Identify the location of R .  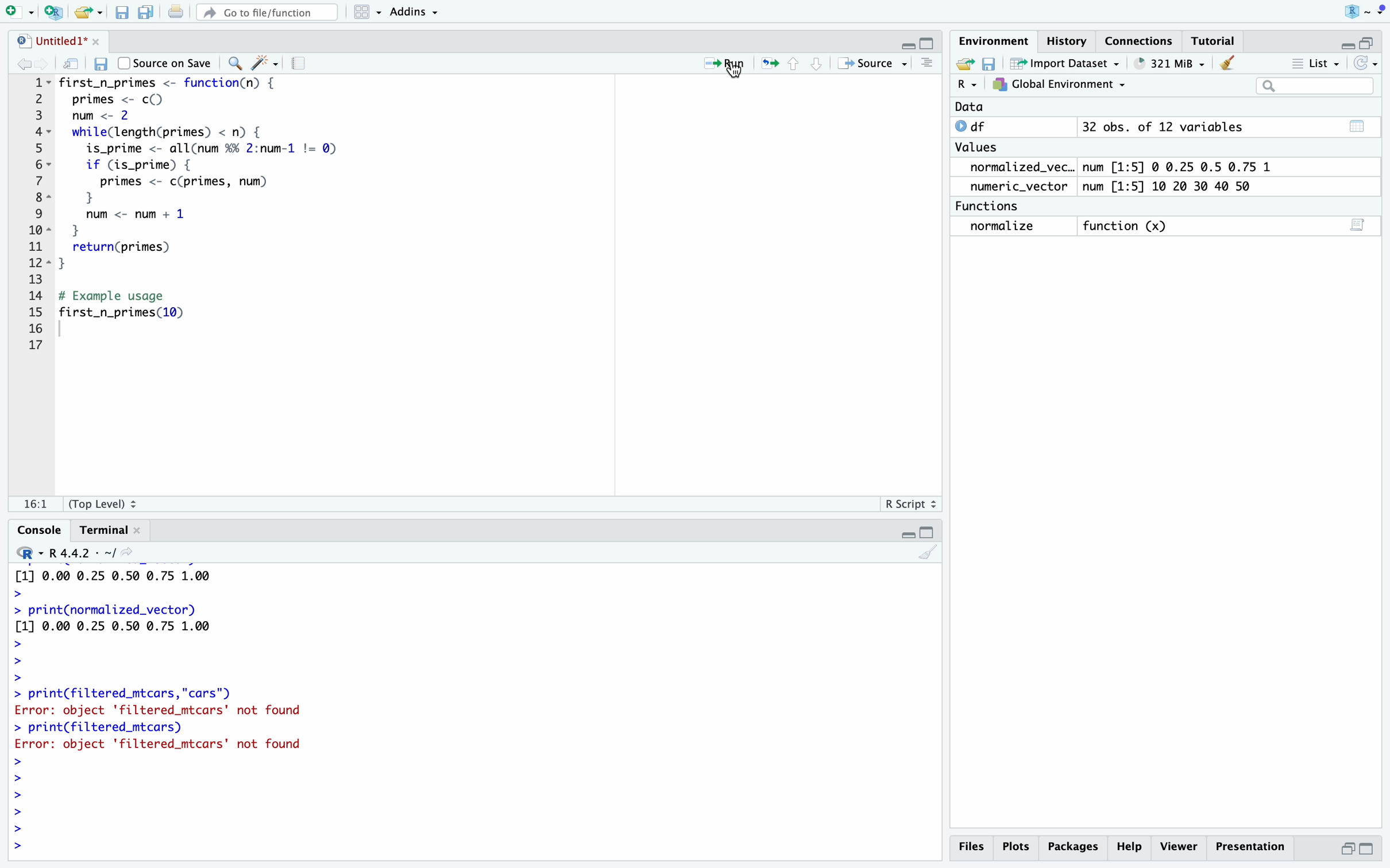
(967, 84).